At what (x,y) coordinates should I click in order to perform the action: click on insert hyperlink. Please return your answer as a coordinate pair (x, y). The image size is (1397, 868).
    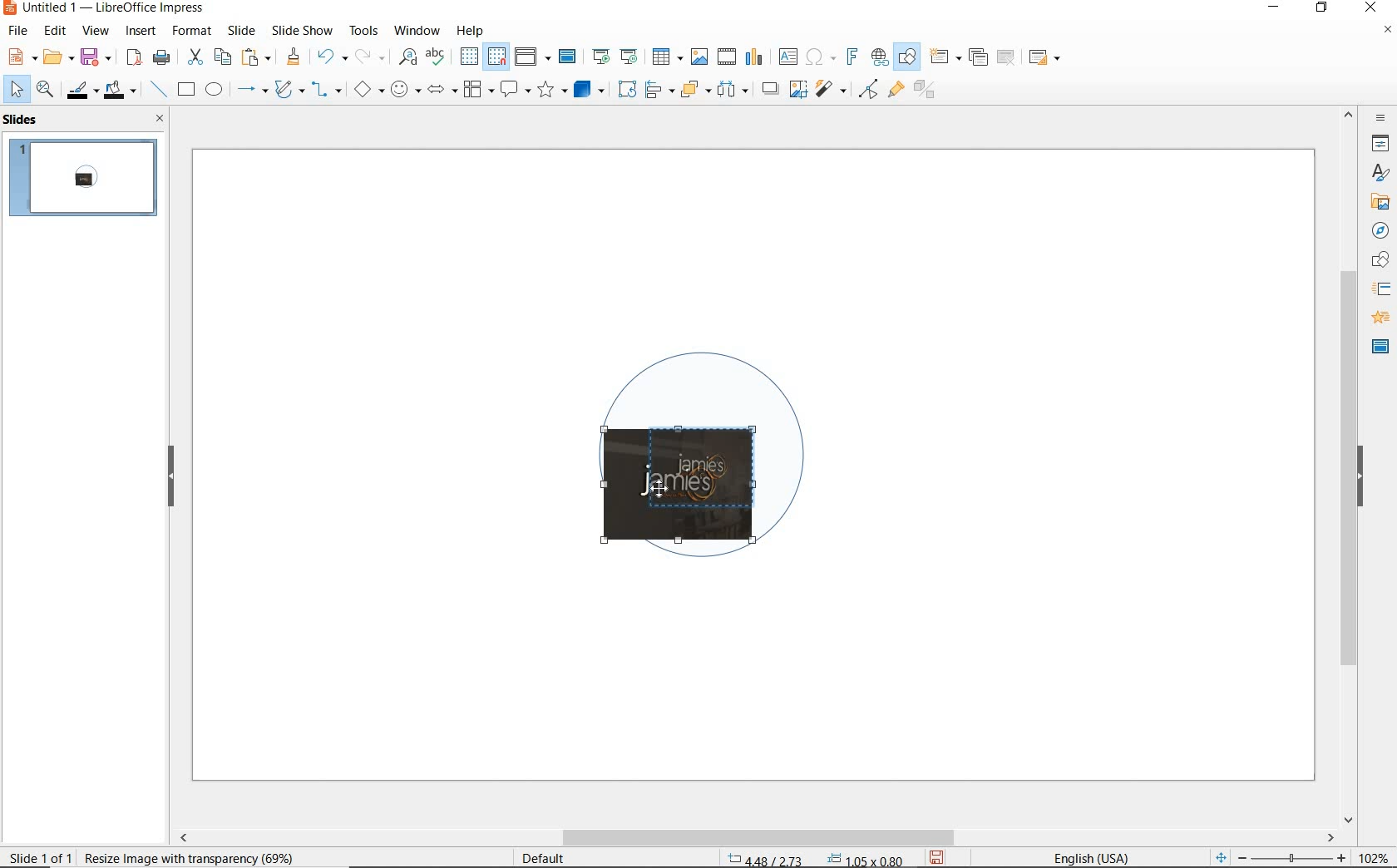
    Looking at the image, I should click on (880, 57).